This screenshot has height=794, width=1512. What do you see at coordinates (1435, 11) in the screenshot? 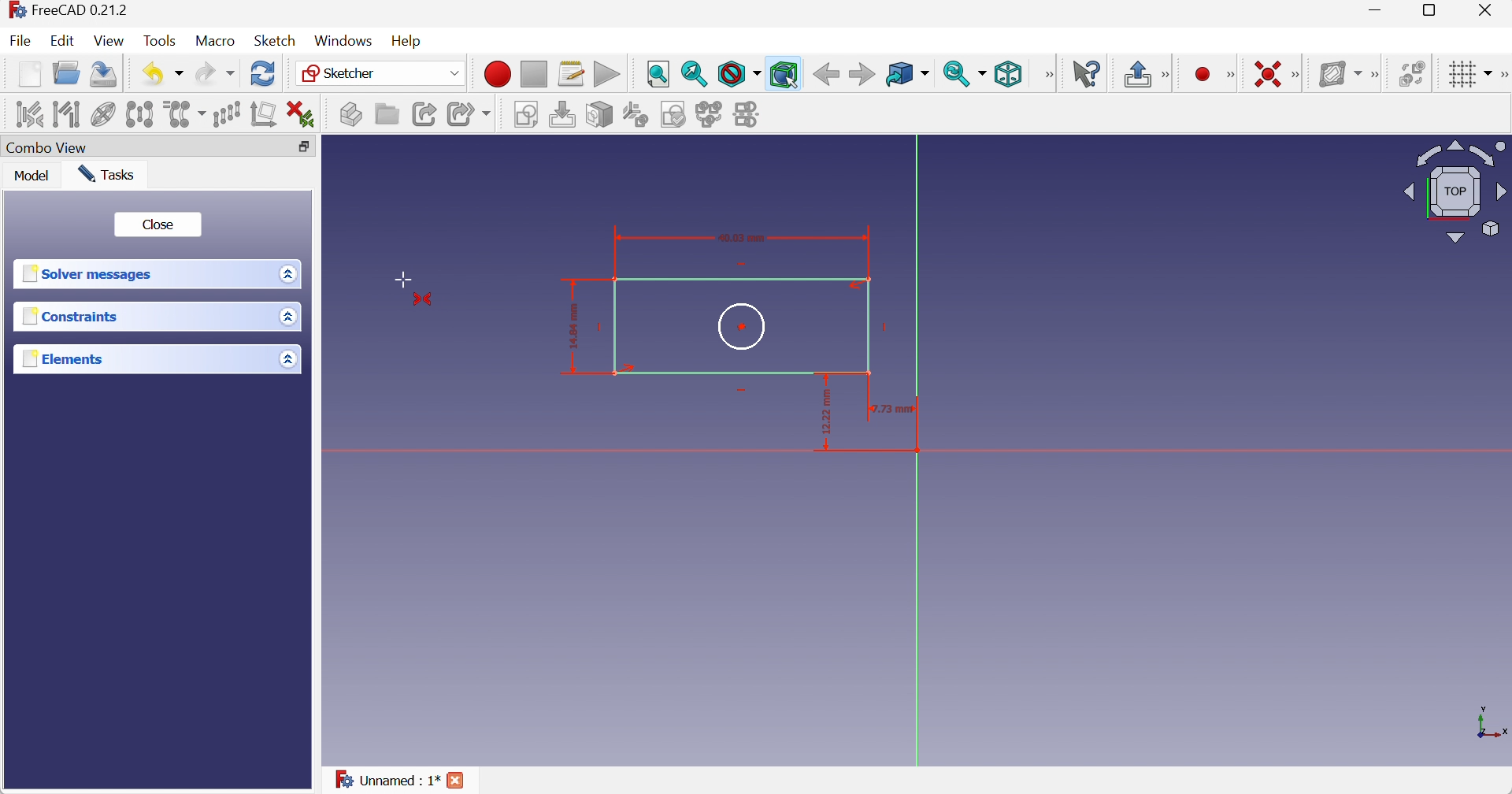
I see `Restore down` at bounding box center [1435, 11].